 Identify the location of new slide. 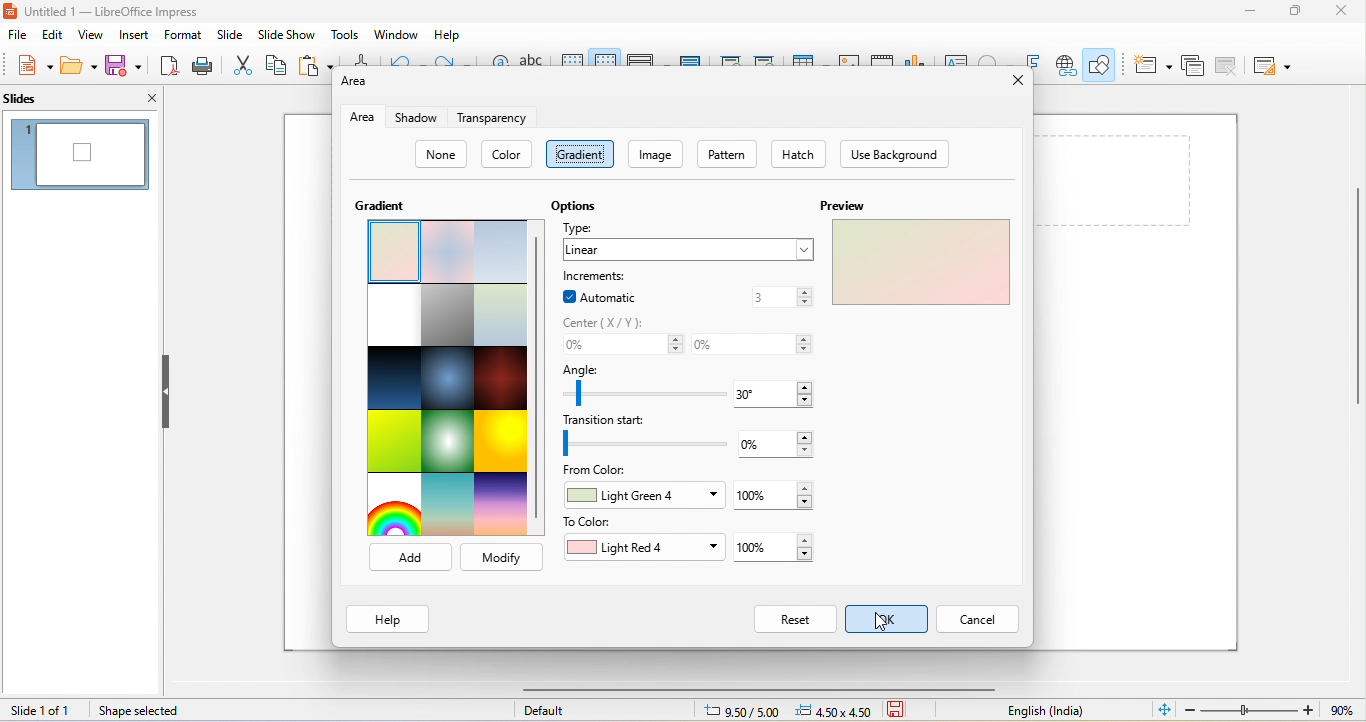
(1152, 65).